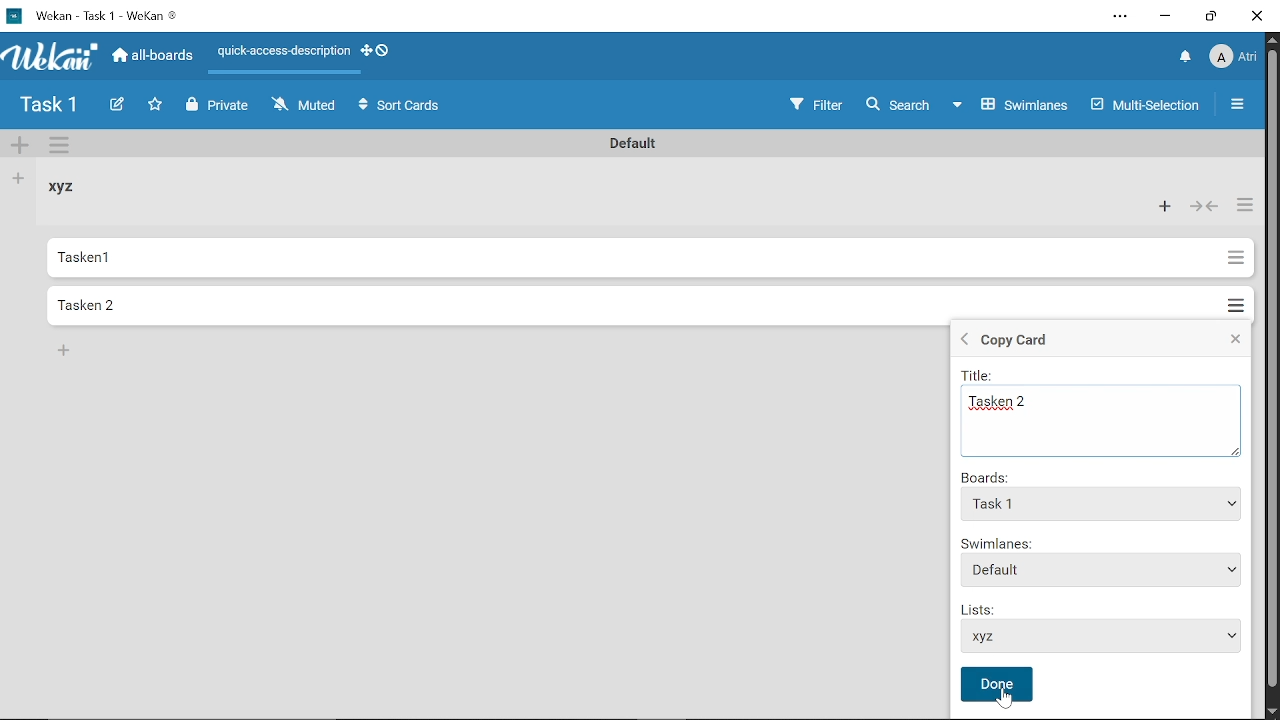 The width and height of the screenshot is (1280, 720). Describe the element at coordinates (1166, 206) in the screenshot. I see `Add card to the top` at that location.